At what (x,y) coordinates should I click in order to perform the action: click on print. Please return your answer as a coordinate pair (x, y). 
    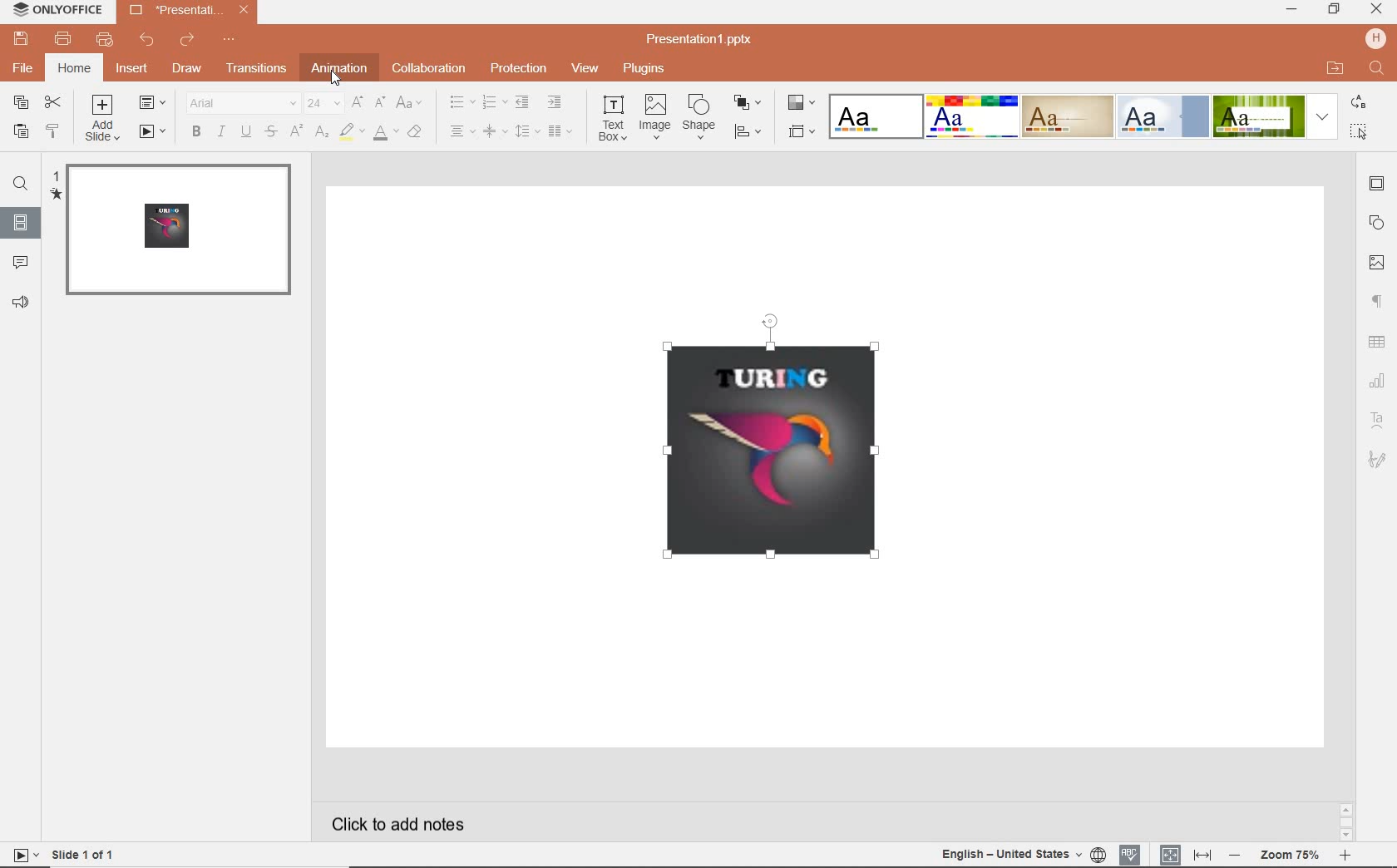
    Looking at the image, I should click on (62, 38).